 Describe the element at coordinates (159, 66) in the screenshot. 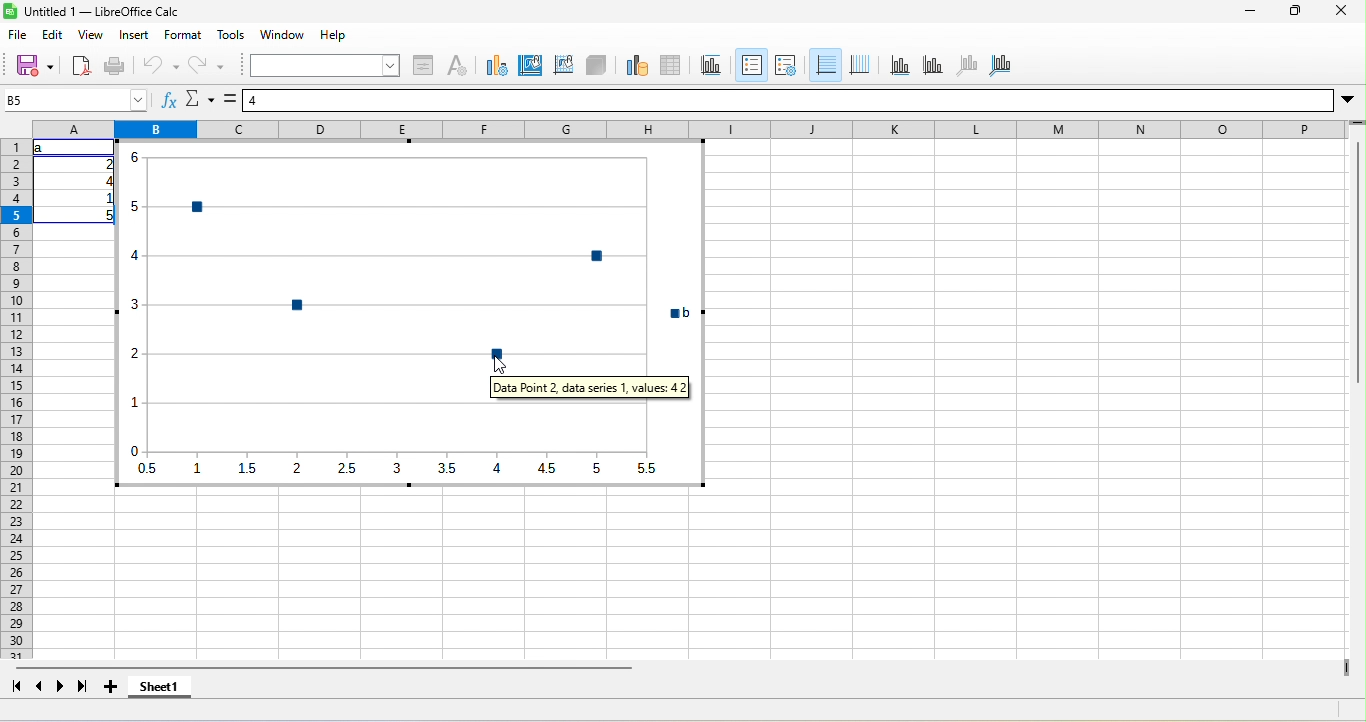

I see `undo` at that location.